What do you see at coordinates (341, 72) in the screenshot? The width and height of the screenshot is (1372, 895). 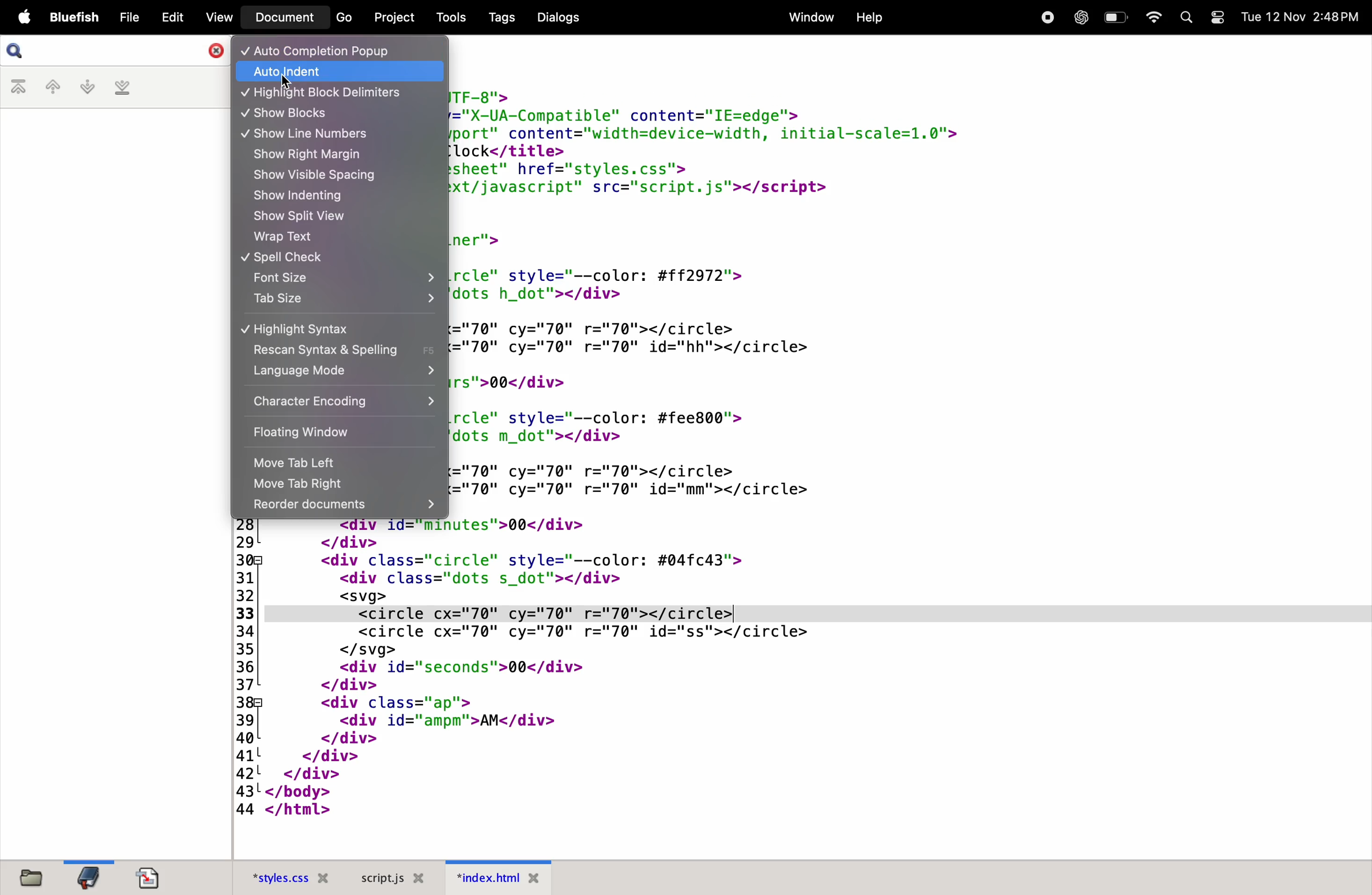 I see `auto indent` at bounding box center [341, 72].